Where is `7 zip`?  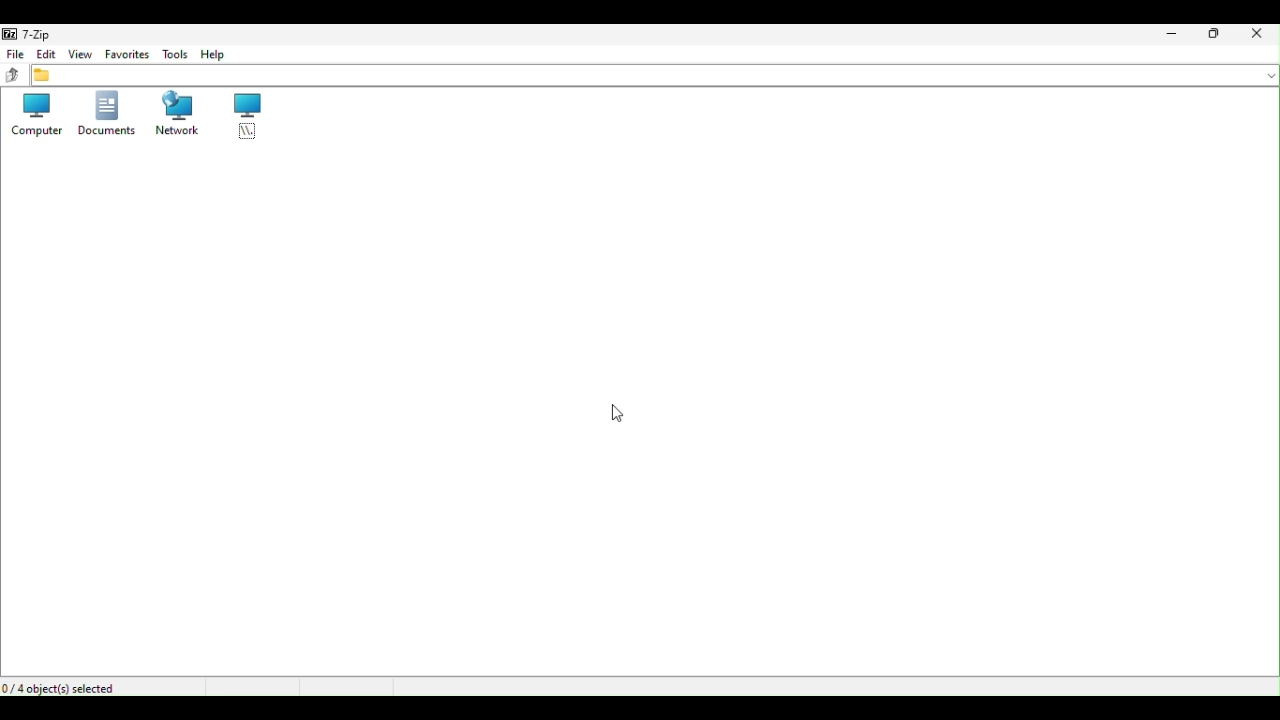
7 zip is located at coordinates (32, 33).